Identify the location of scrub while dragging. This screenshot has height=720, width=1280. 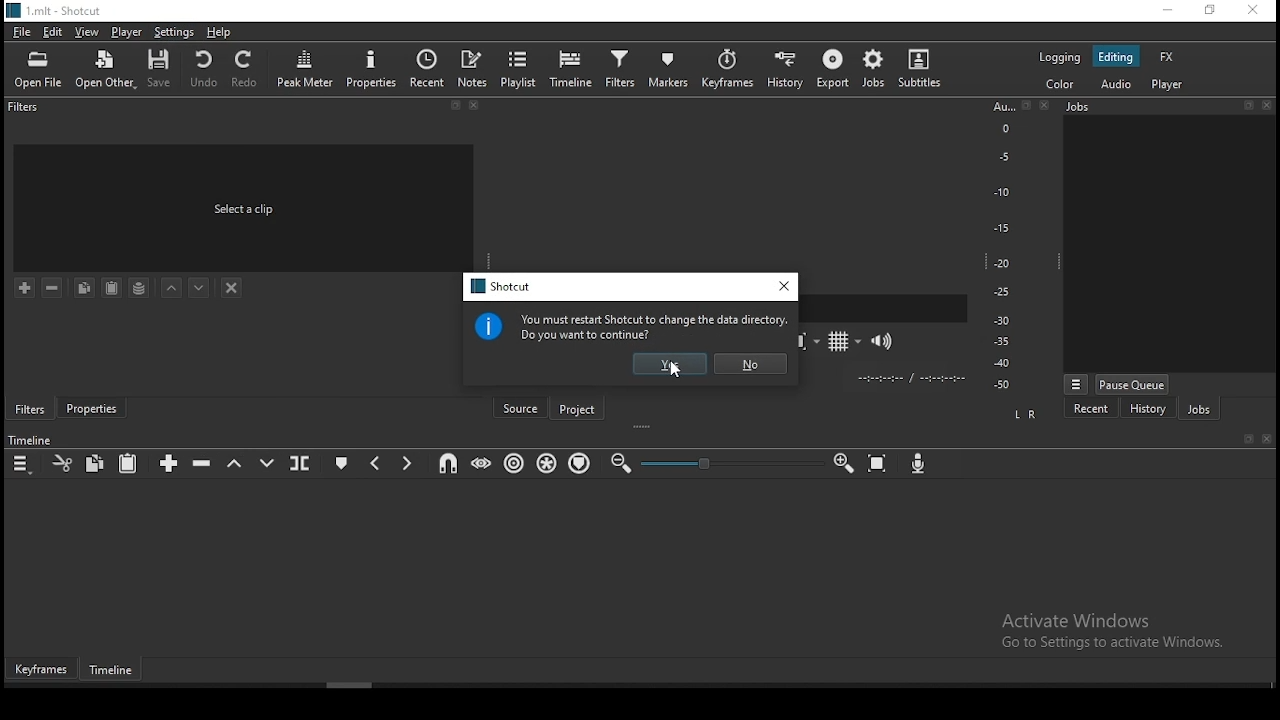
(479, 465).